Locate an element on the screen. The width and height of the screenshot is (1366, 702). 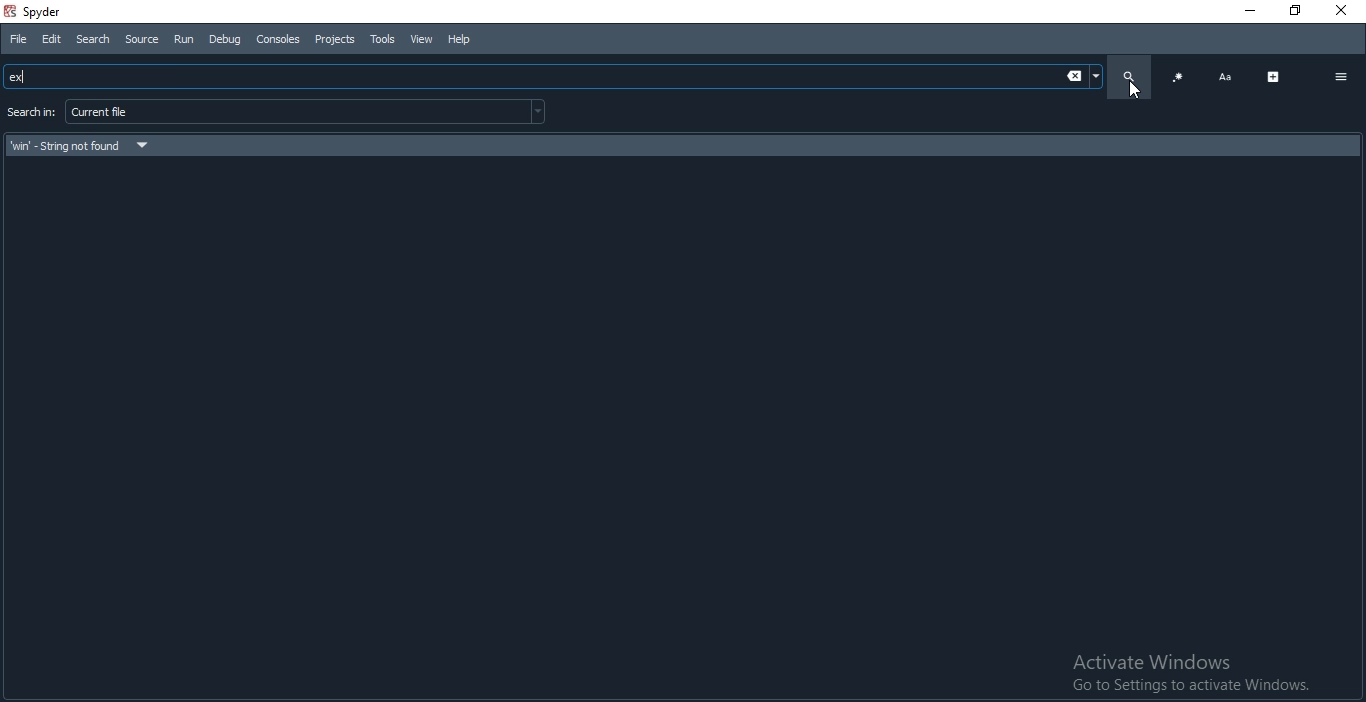
ex is located at coordinates (18, 74).